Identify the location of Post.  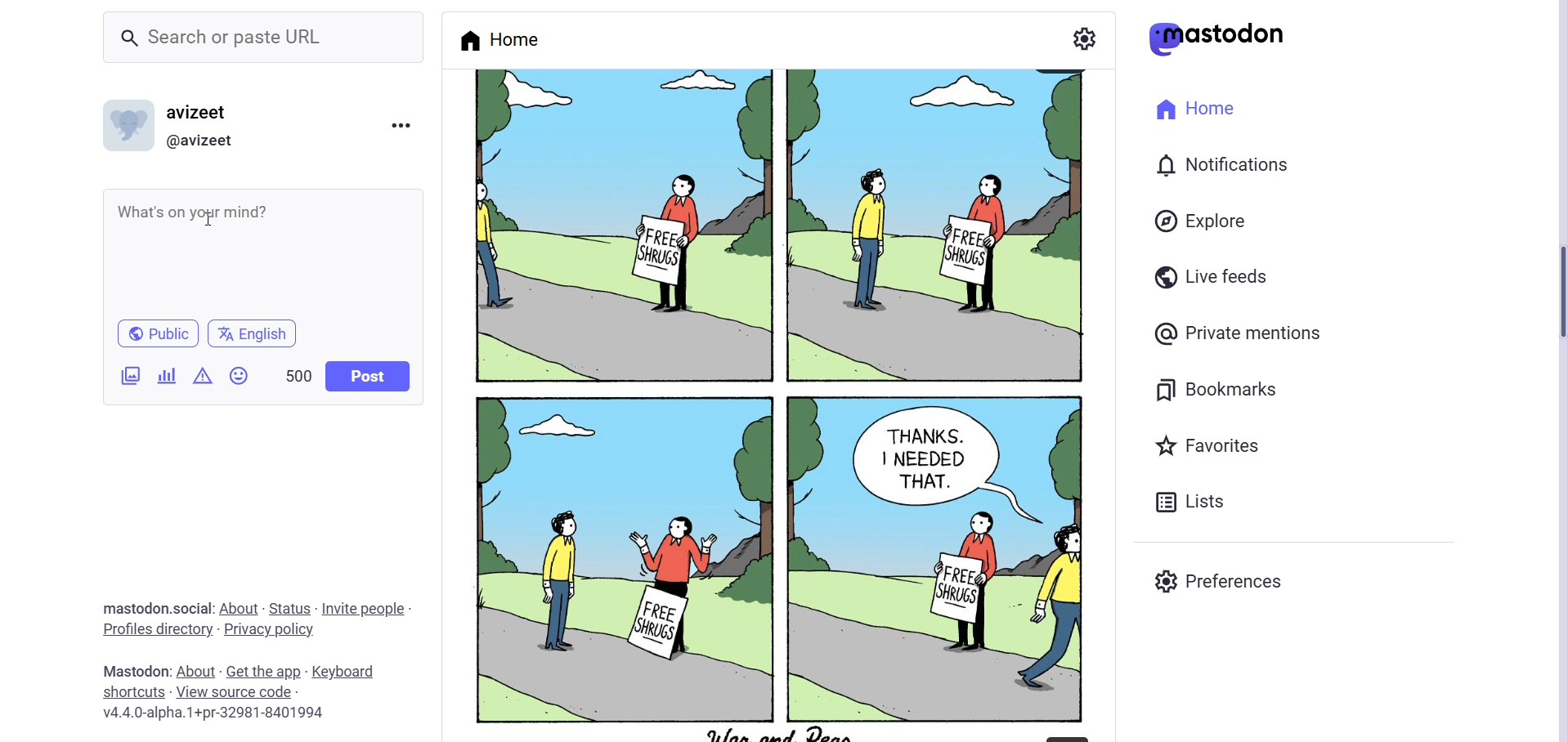
(370, 376).